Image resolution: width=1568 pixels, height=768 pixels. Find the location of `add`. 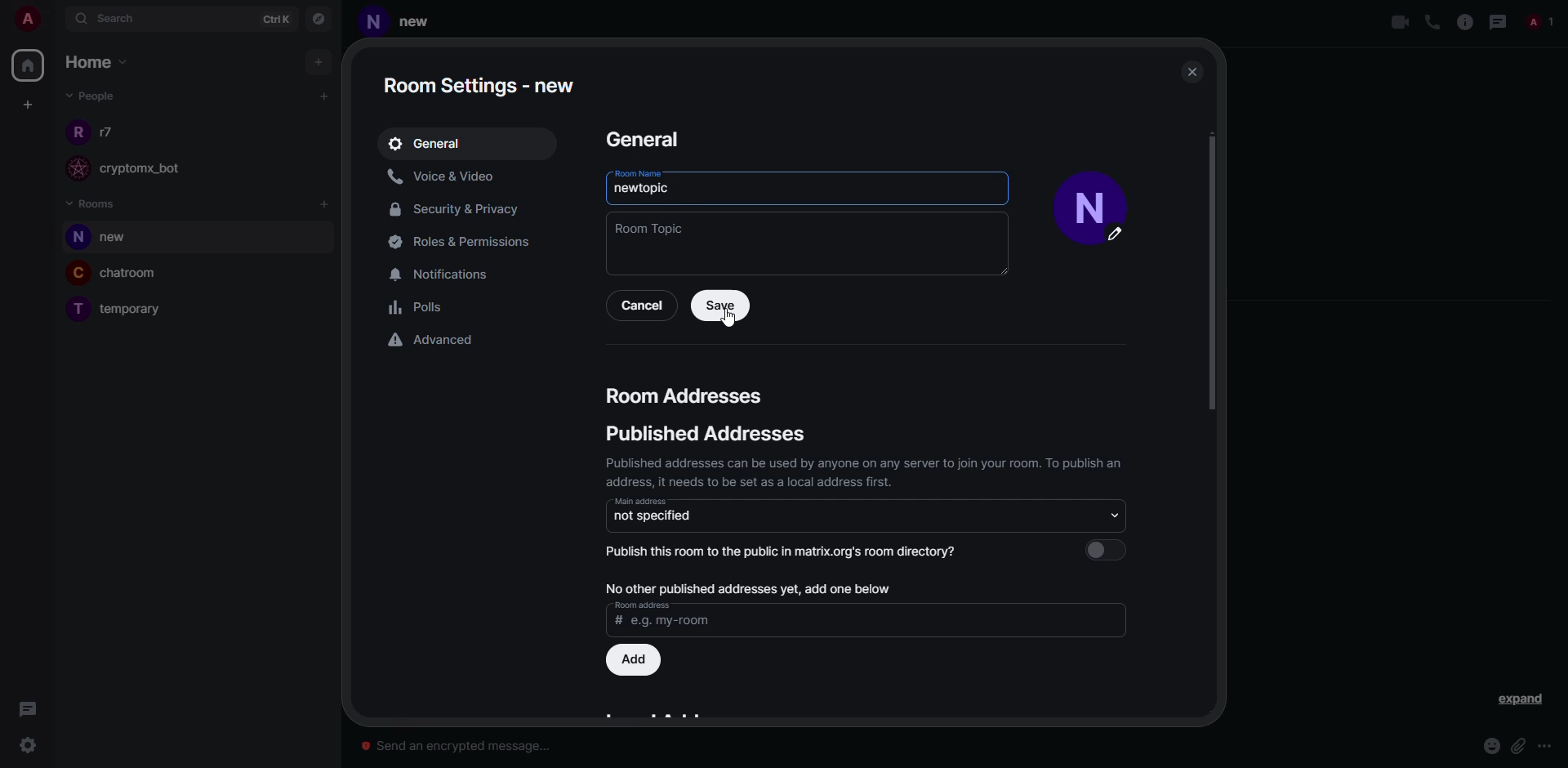

add is located at coordinates (746, 586).